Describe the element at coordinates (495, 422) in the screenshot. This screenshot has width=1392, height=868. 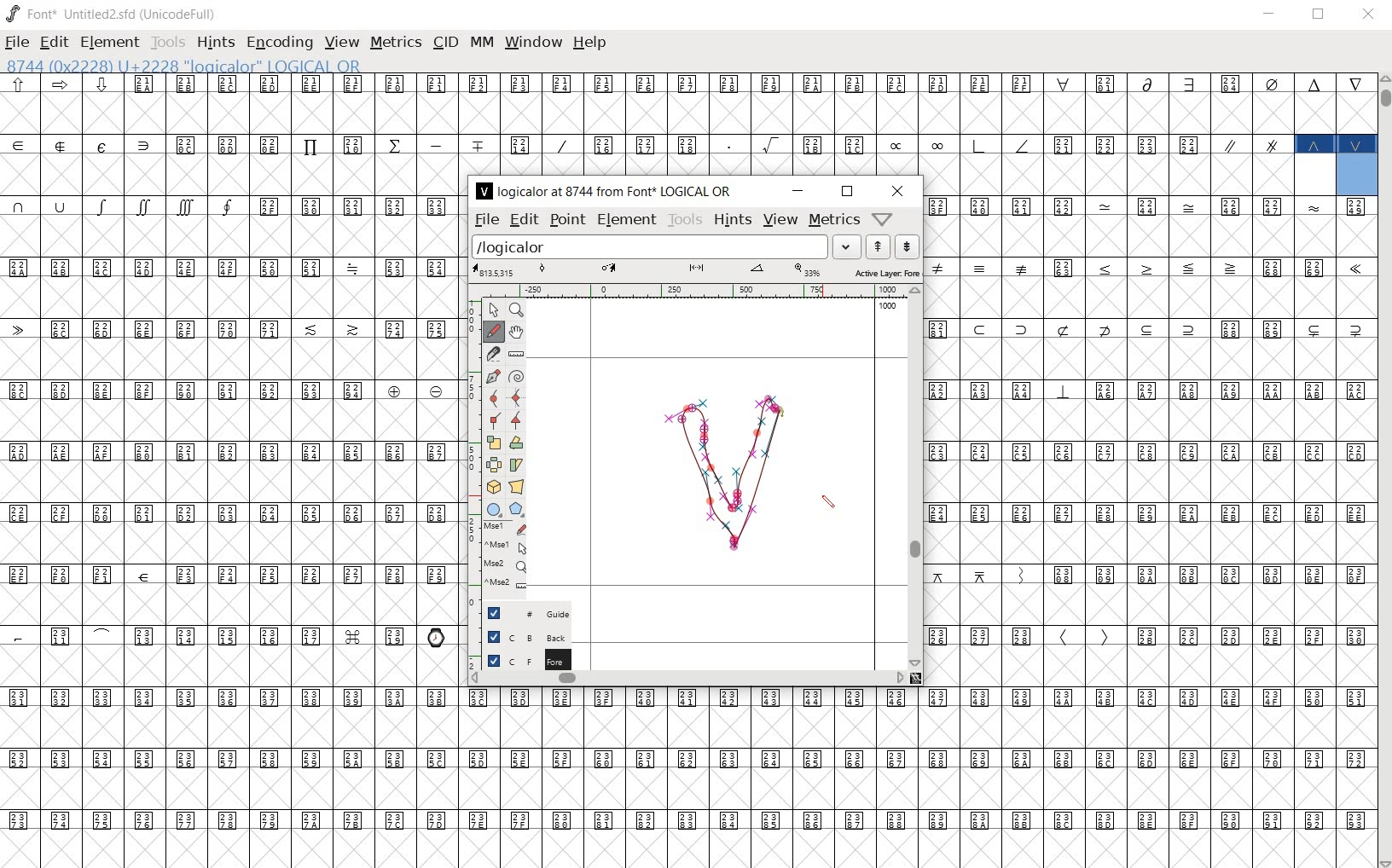
I see `Add a corner point` at that location.